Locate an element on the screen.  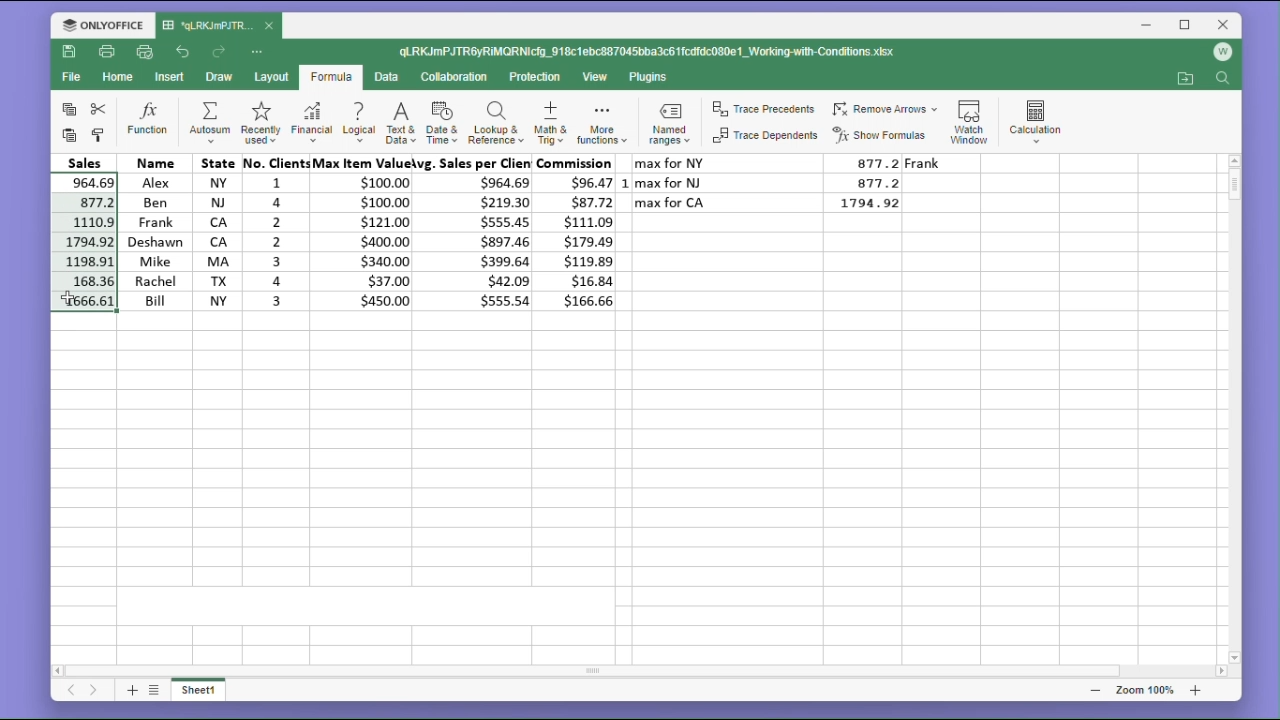
max item values is located at coordinates (365, 233).